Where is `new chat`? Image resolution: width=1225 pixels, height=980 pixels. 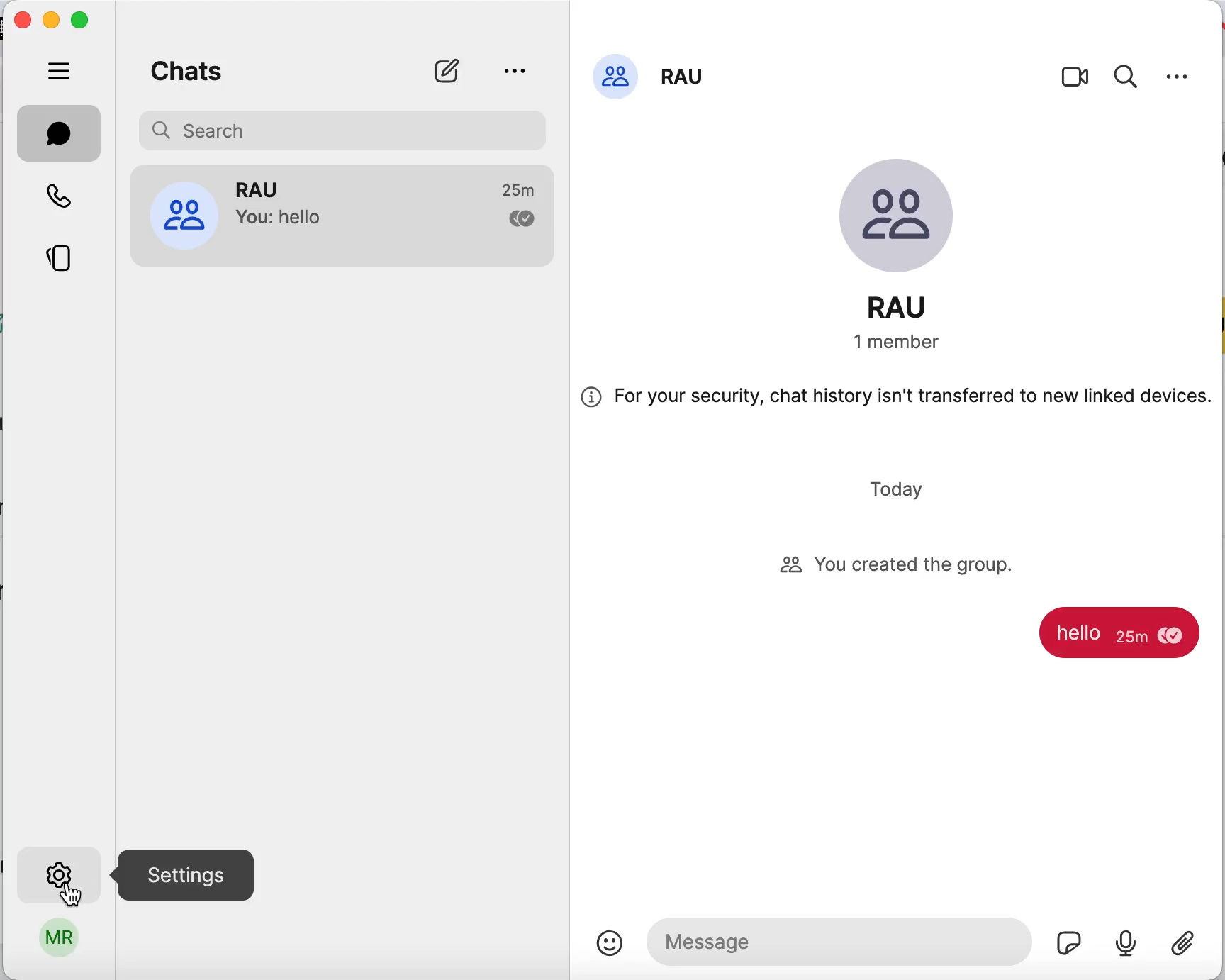
new chat is located at coordinates (449, 70).